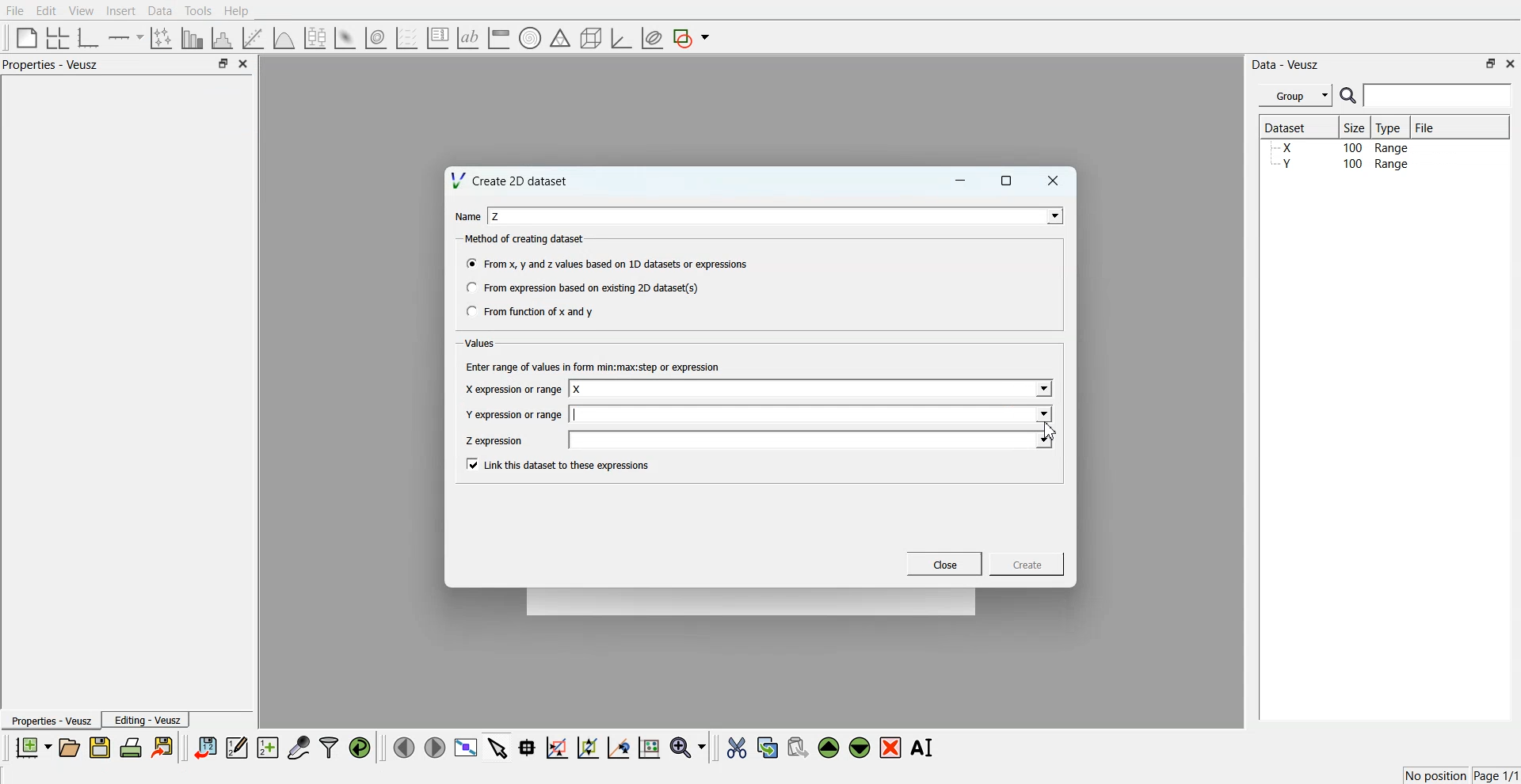  I want to click on Dataset, so click(1293, 127).